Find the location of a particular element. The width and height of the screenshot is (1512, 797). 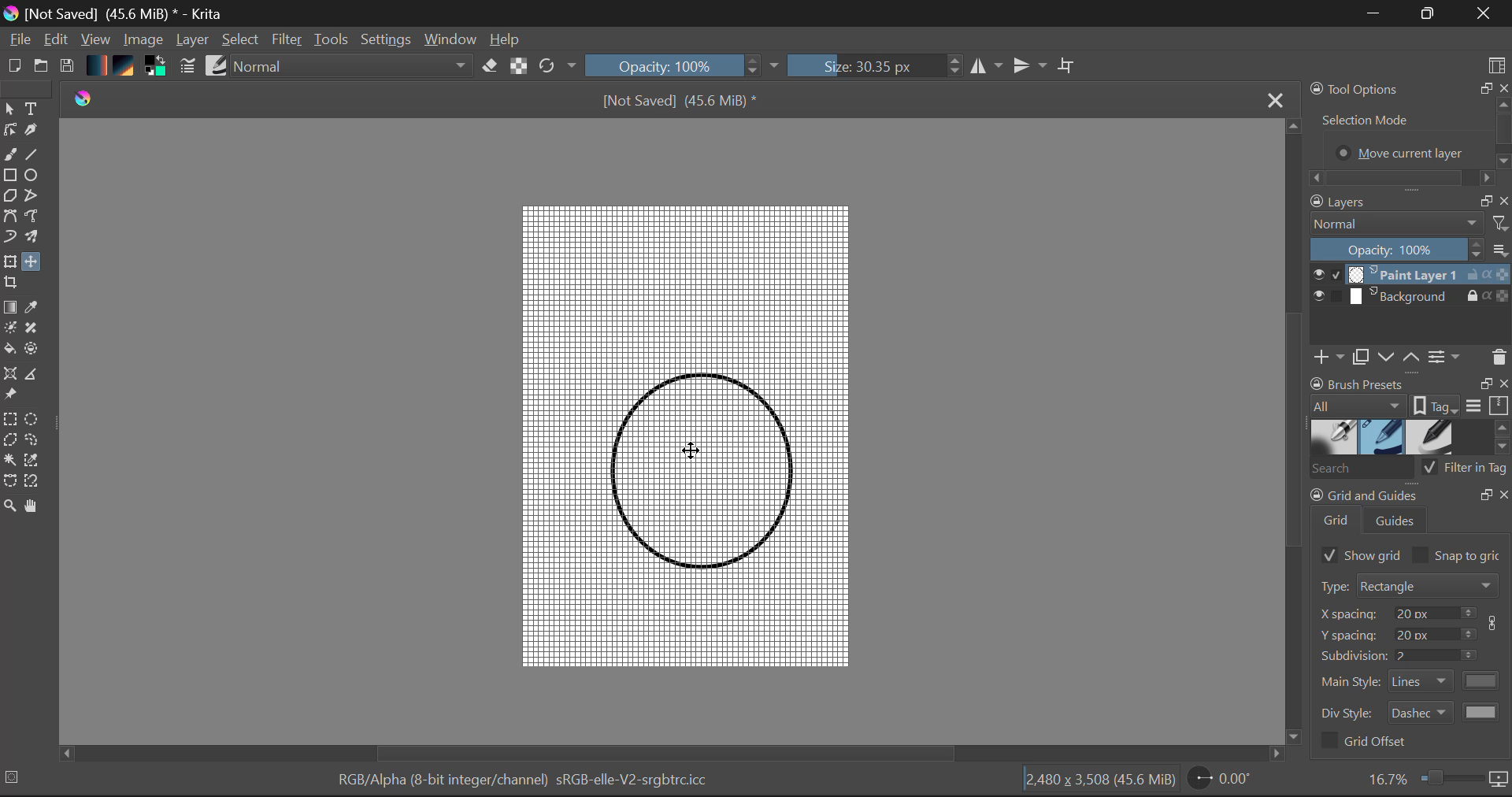

Freehand Selection is located at coordinates (34, 440).